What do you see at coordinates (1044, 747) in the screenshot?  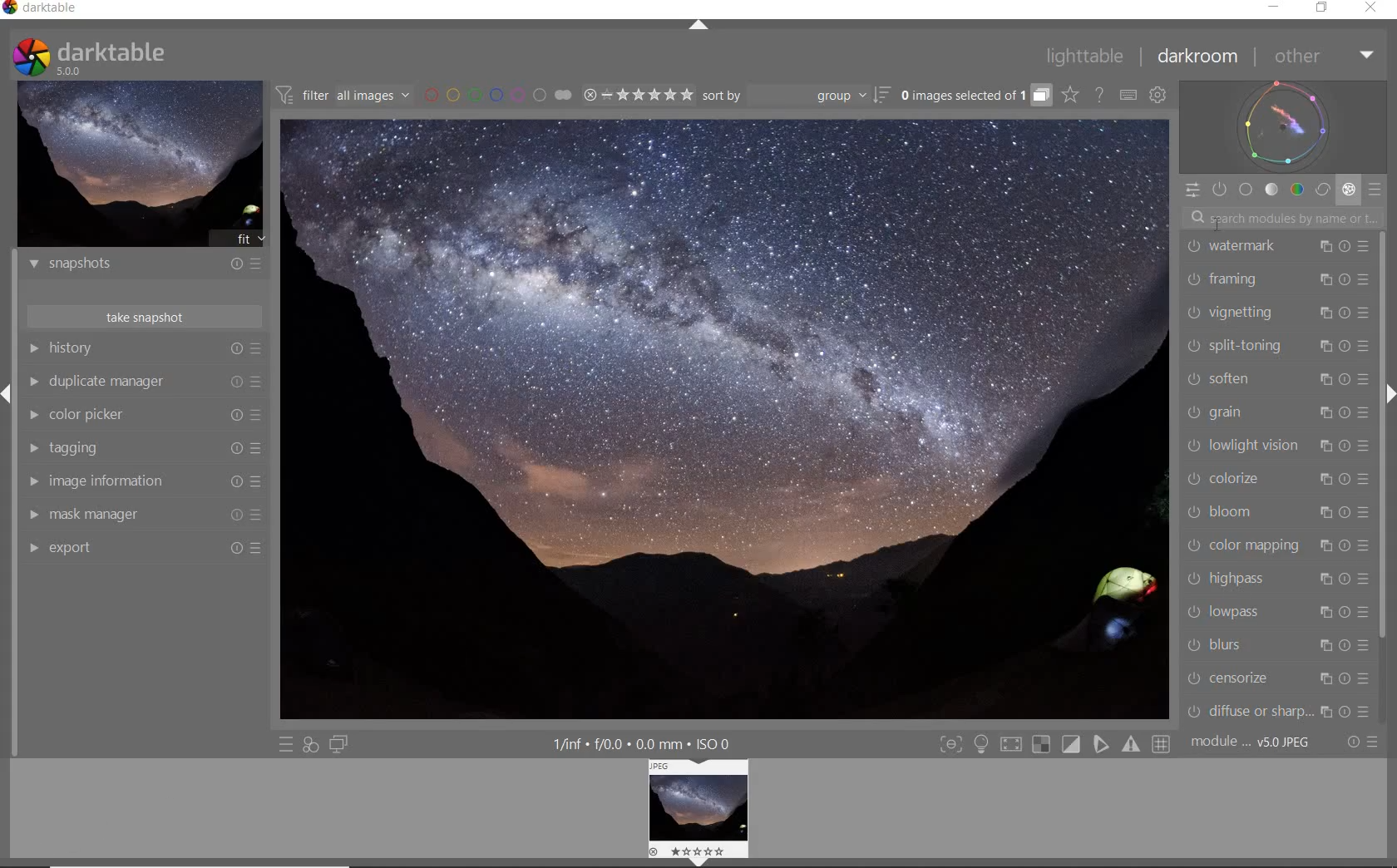 I see `toggle indication of raw overexposure` at bounding box center [1044, 747].